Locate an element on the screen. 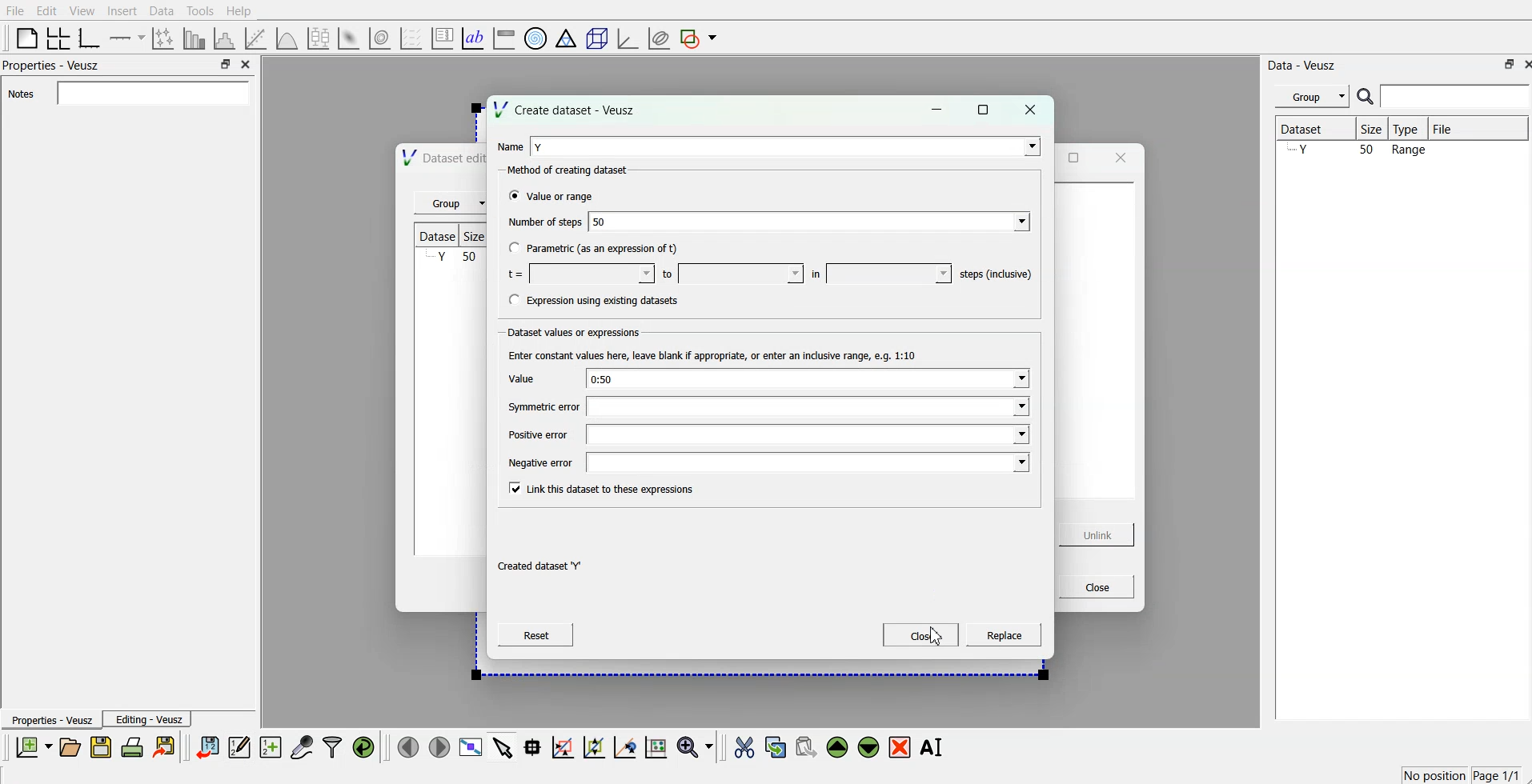 The height and width of the screenshot is (784, 1532). Help is located at coordinates (239, 12).